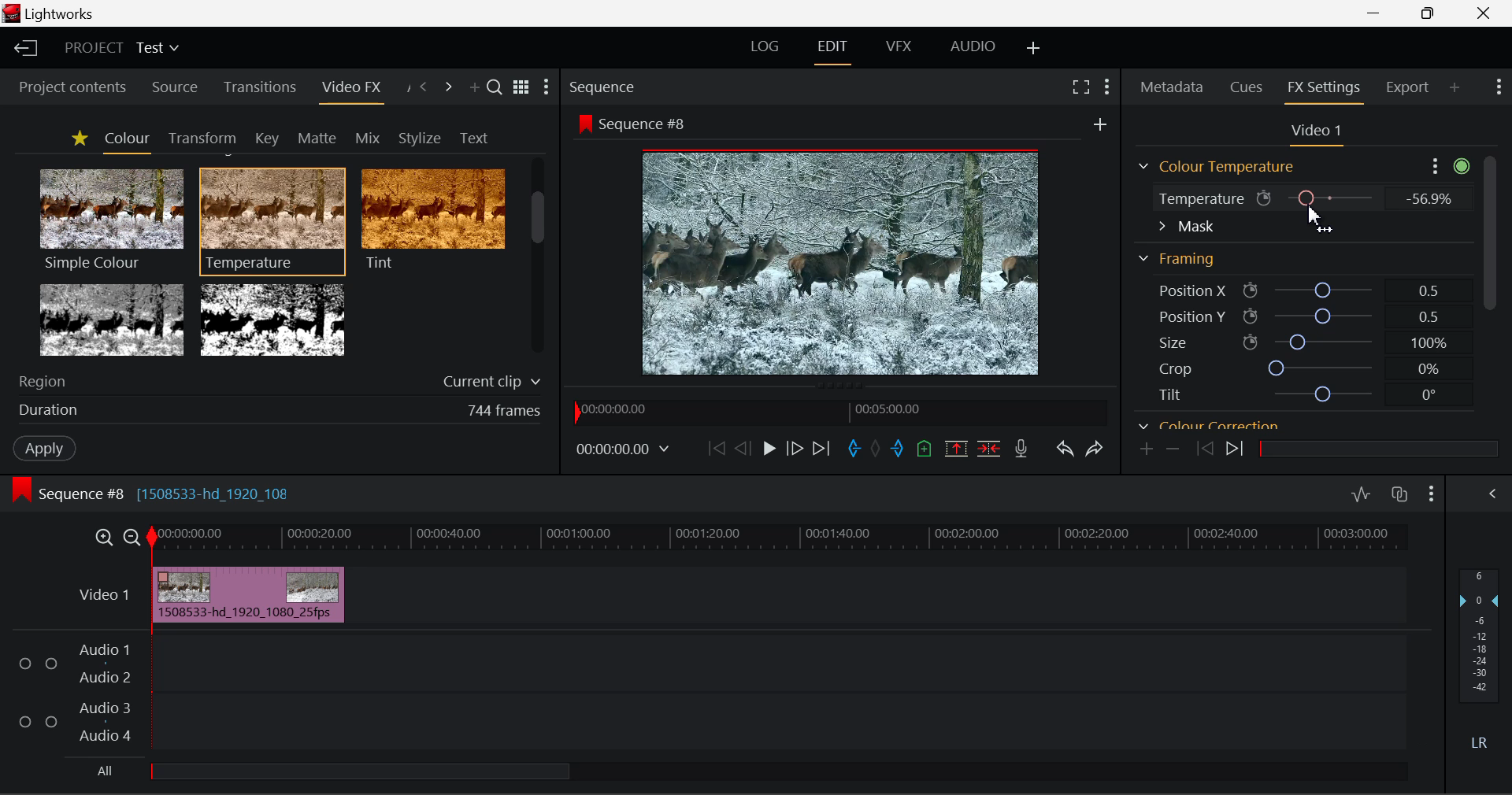 This screenshot has height=795, width=1512. What do you see at coordinates (973, 46) in the screenshot?
I see `AUDIO Layout` at bounding box center [973, 46].